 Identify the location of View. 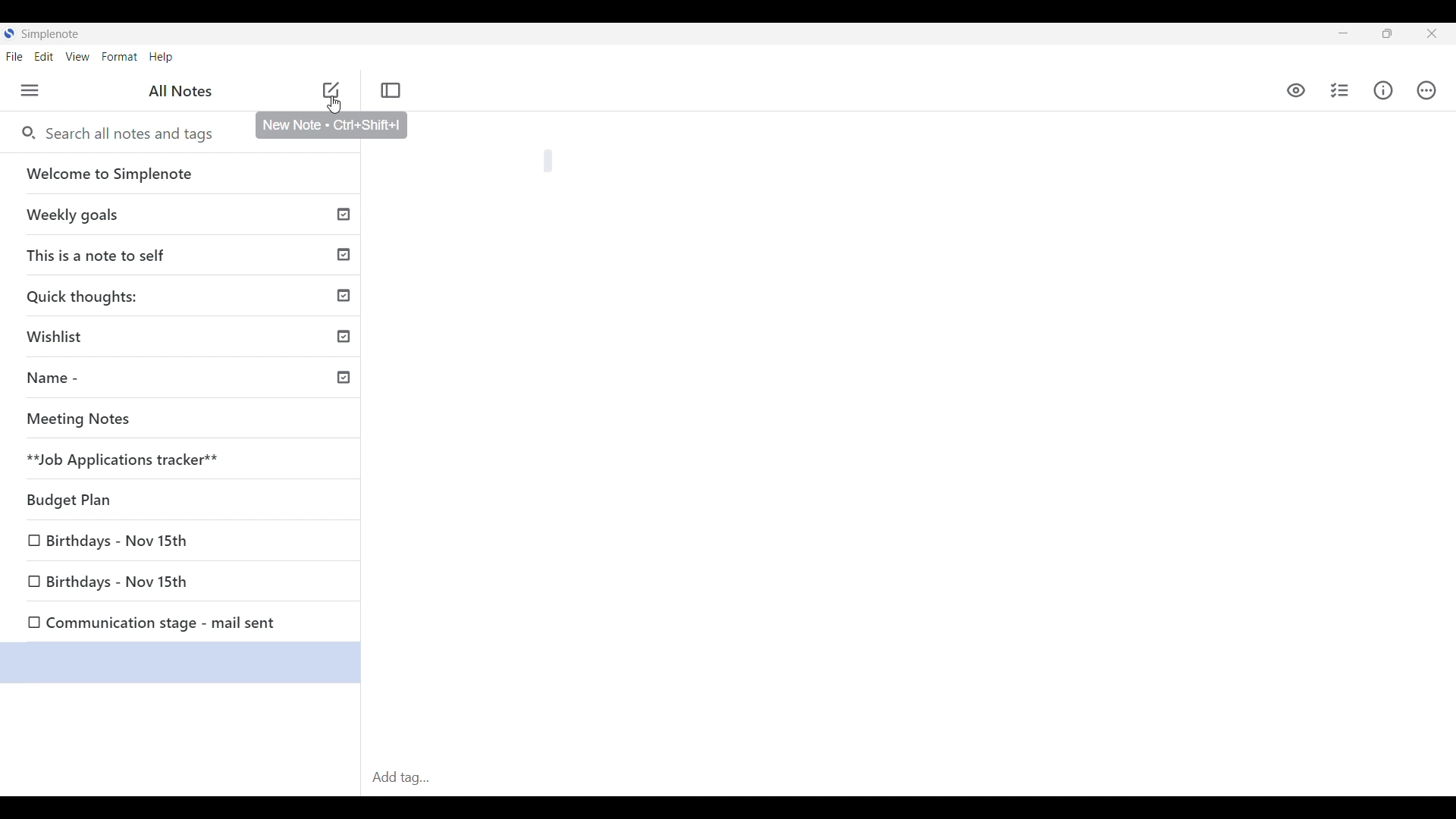
(78, 57).